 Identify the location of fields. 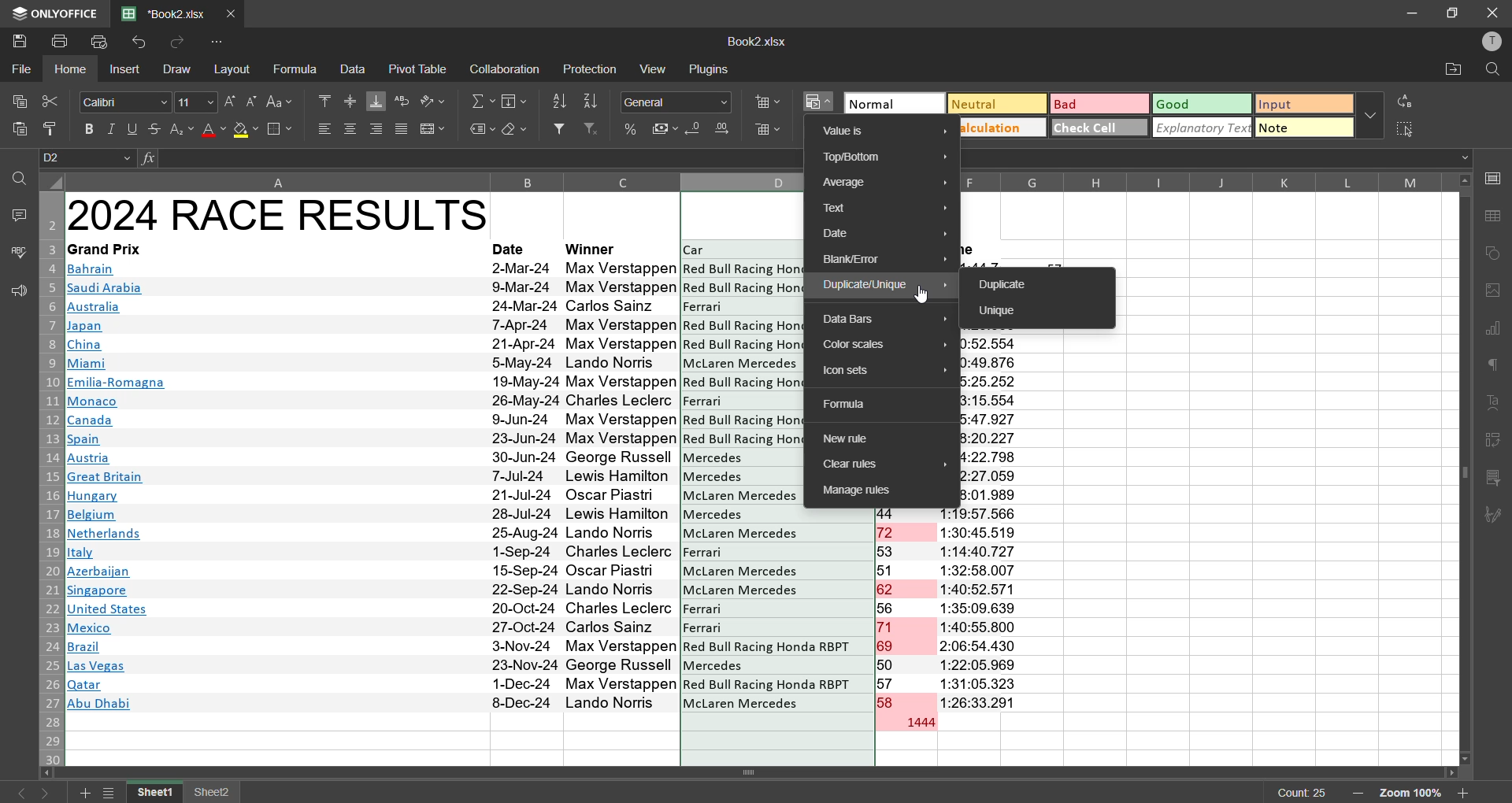
(517, 101).